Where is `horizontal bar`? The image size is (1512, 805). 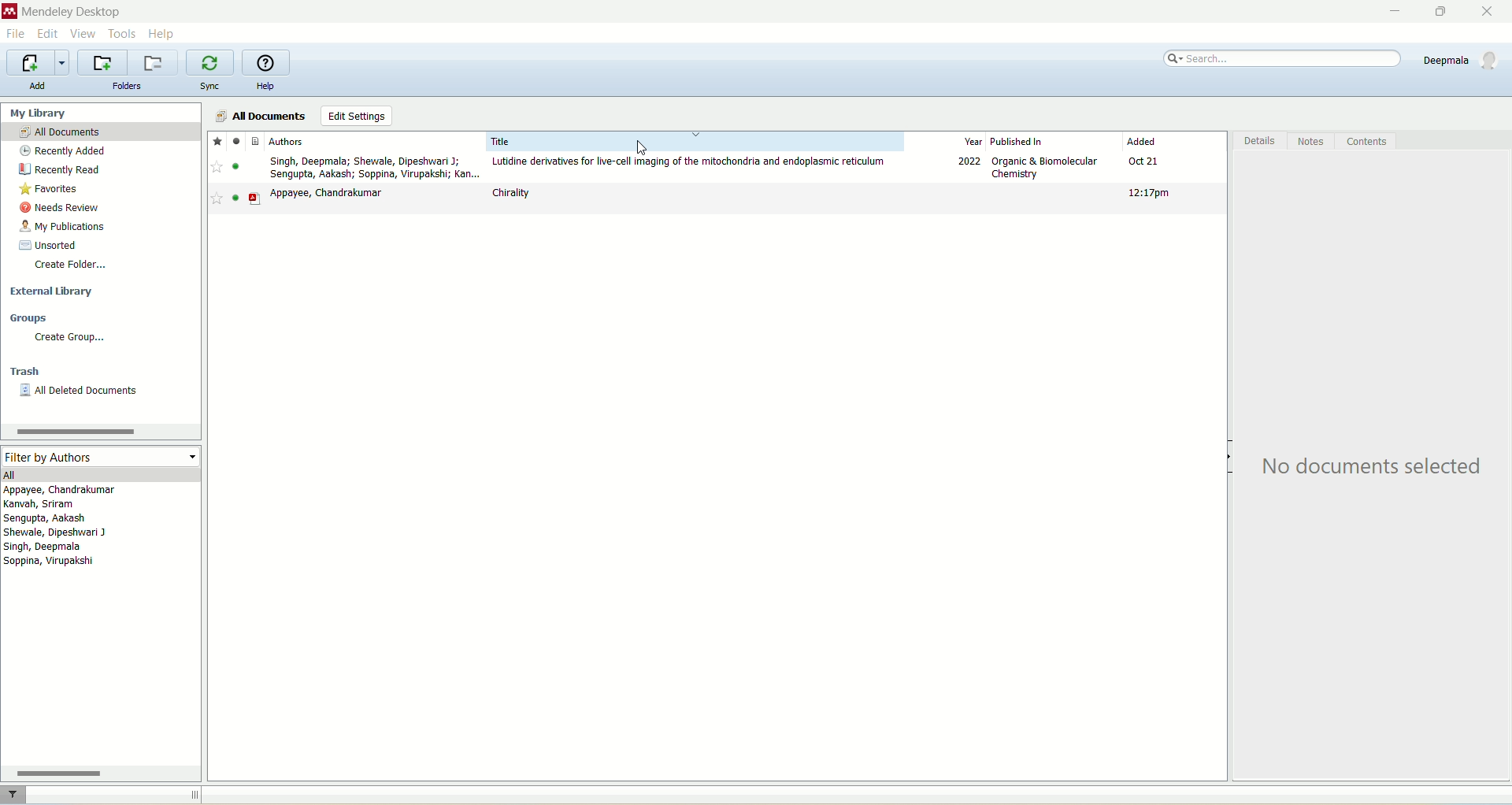
horizontal bar is located at coordinates (101, 771).